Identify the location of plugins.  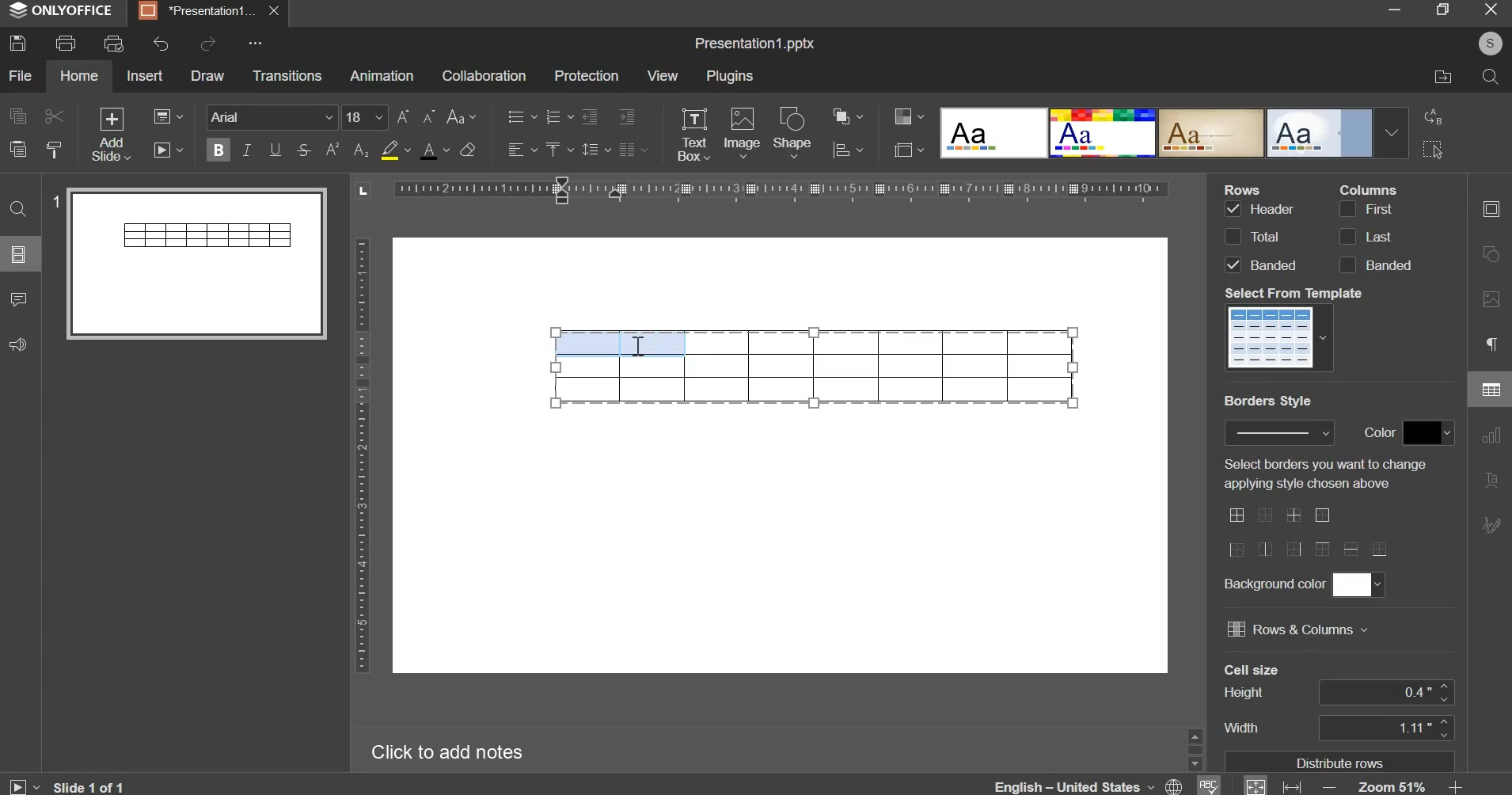
(731, 76).